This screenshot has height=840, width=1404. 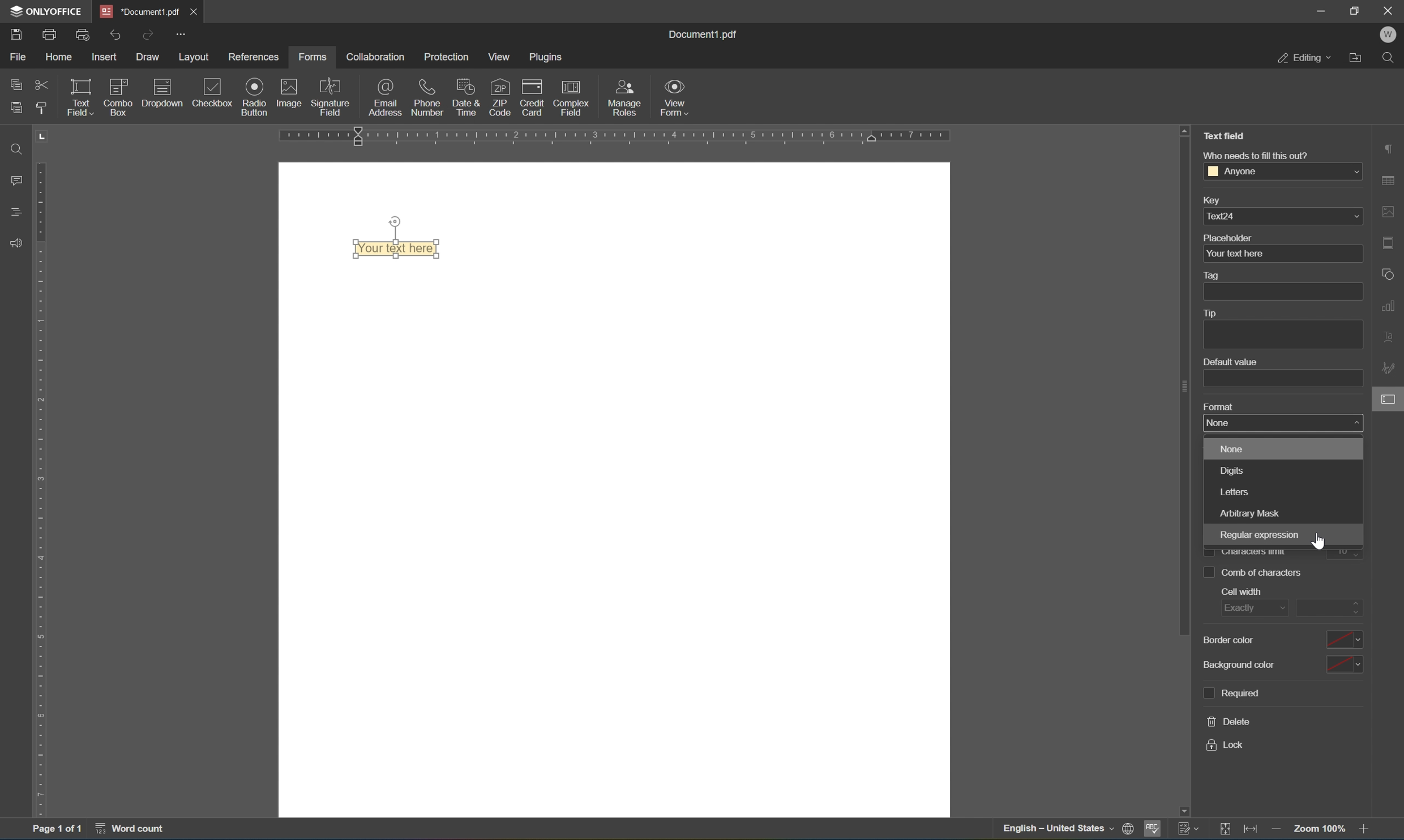 What do you see at coordinates (1343, 663) in the screenshot?
I see `select background color` at bounding box center [1343, 663].